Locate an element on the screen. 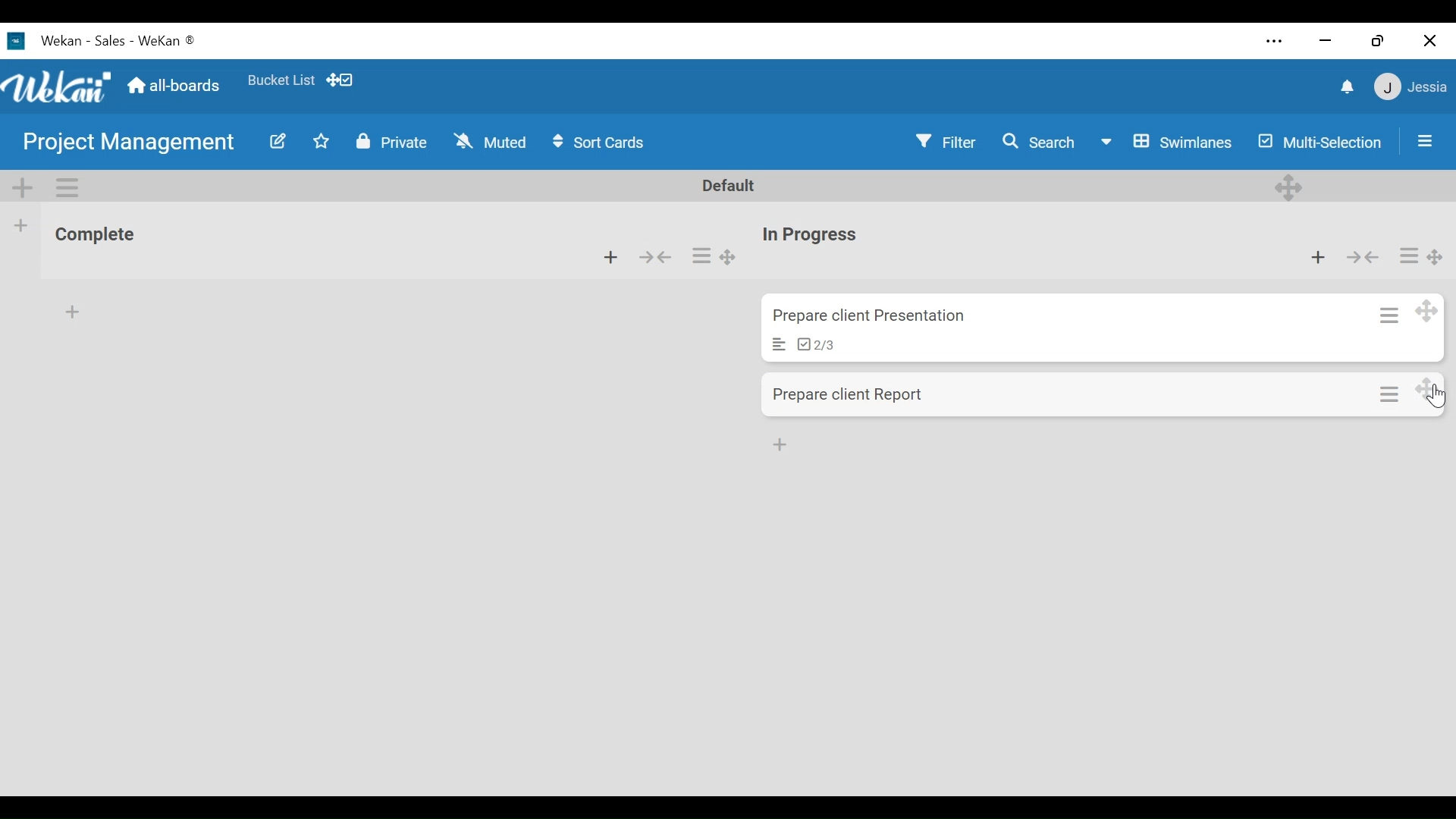 The image size is (1456, 819). Prepare client report is located at coordinates (853, 395).